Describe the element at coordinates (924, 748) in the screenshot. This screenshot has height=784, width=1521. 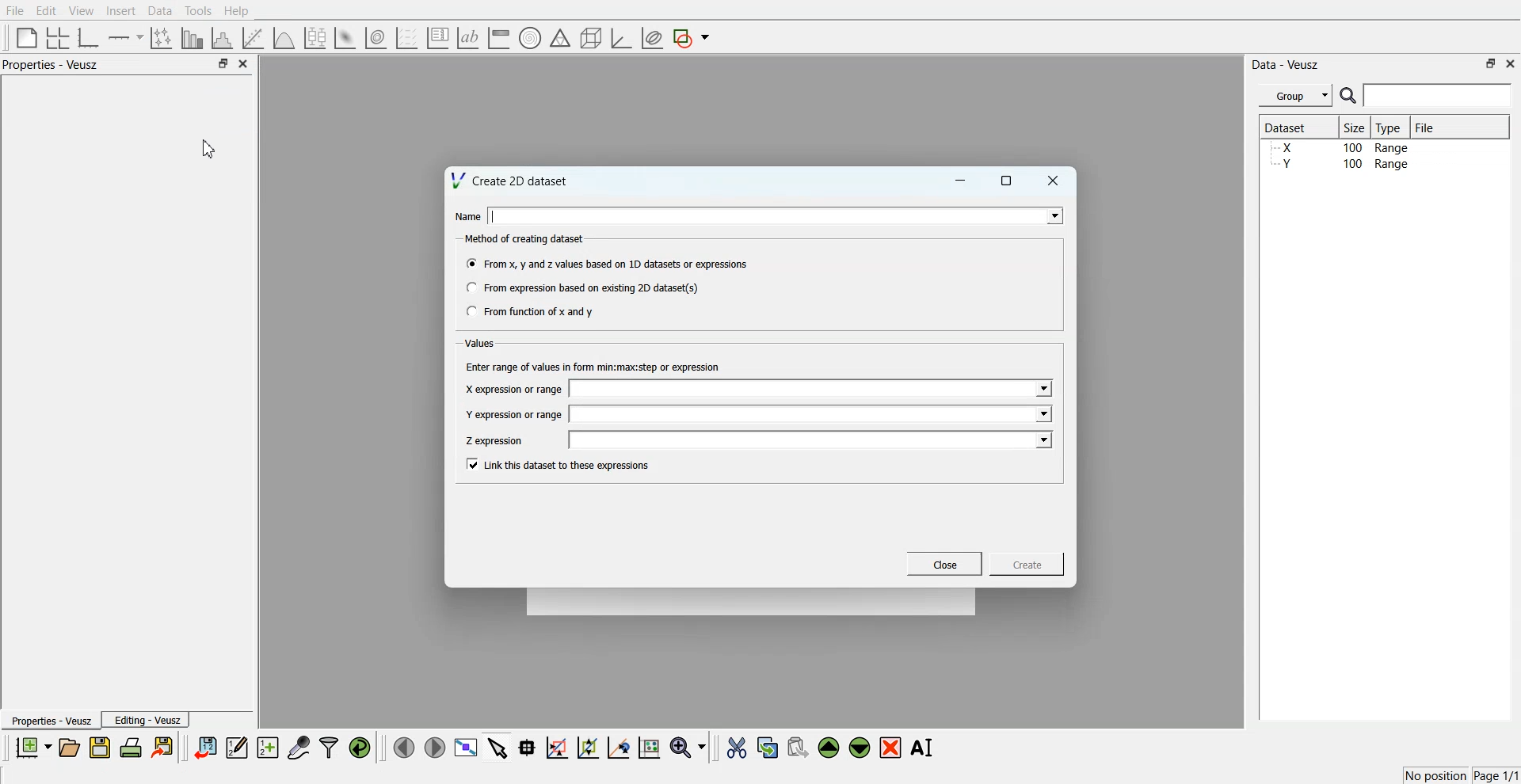
I see `Rename the selected widget` at that location.